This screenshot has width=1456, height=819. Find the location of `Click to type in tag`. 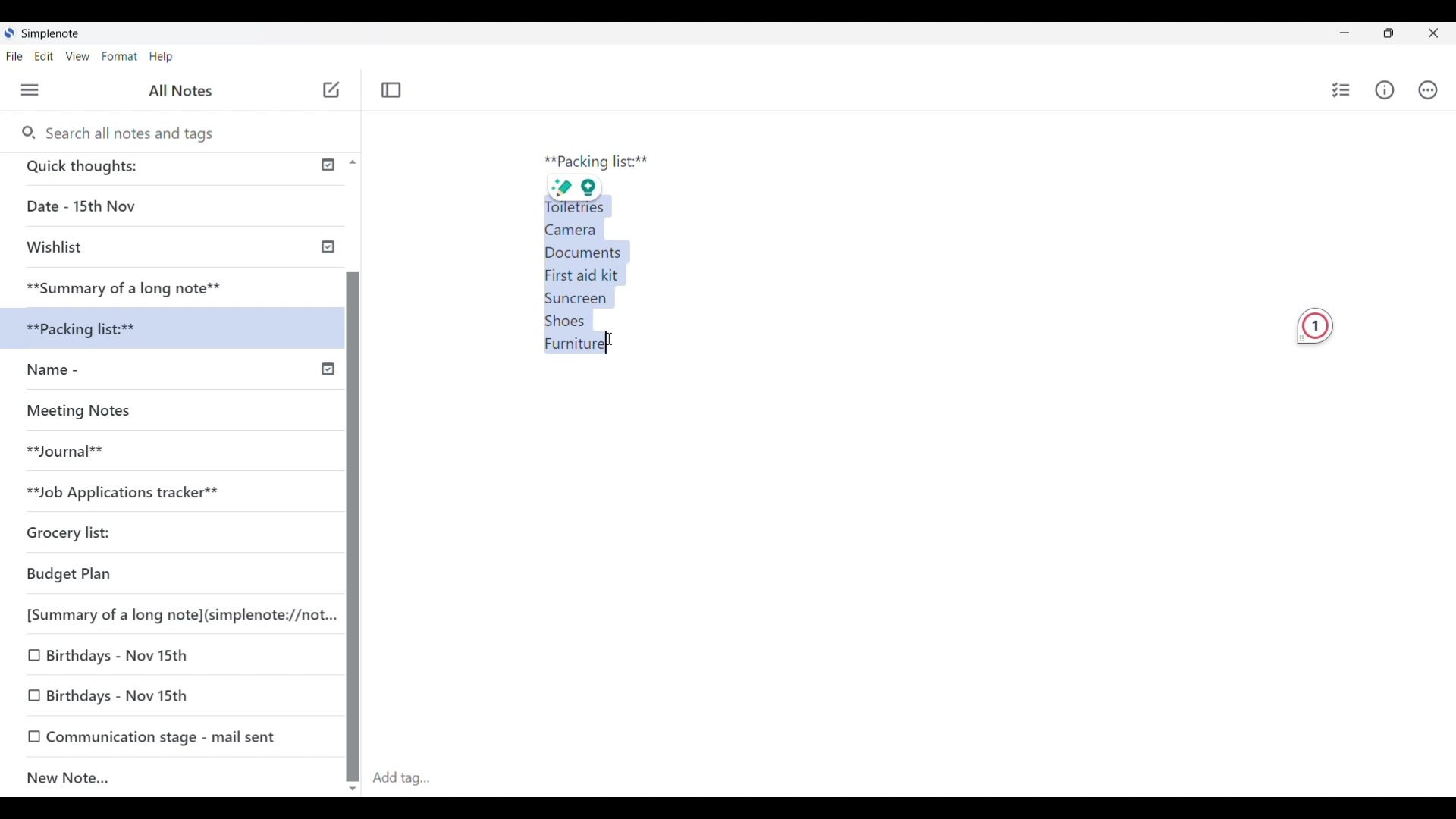

Click to type in tag is located at coordinates (400, 779).